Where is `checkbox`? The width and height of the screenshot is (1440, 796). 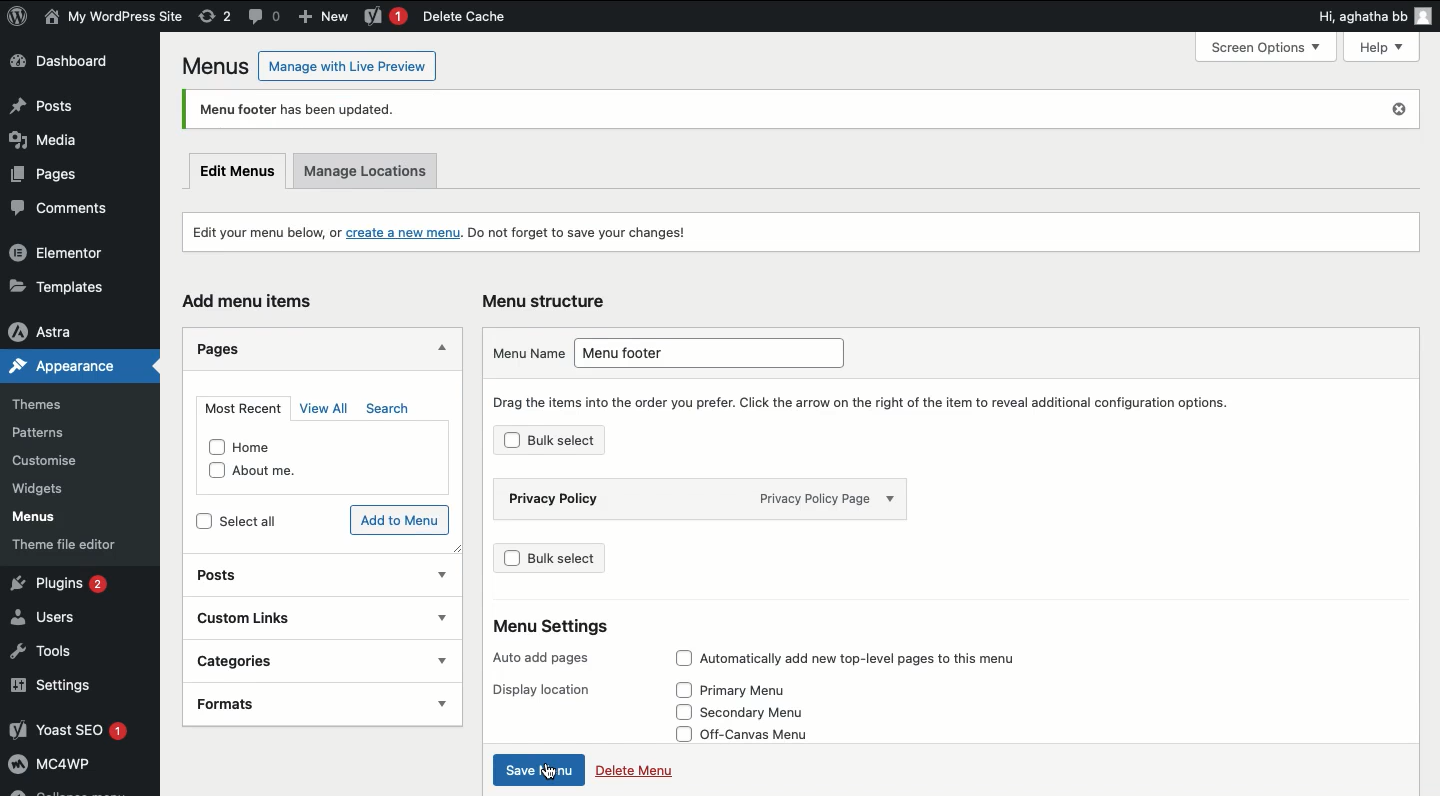
checkbox is located at coordinates (679, 658).